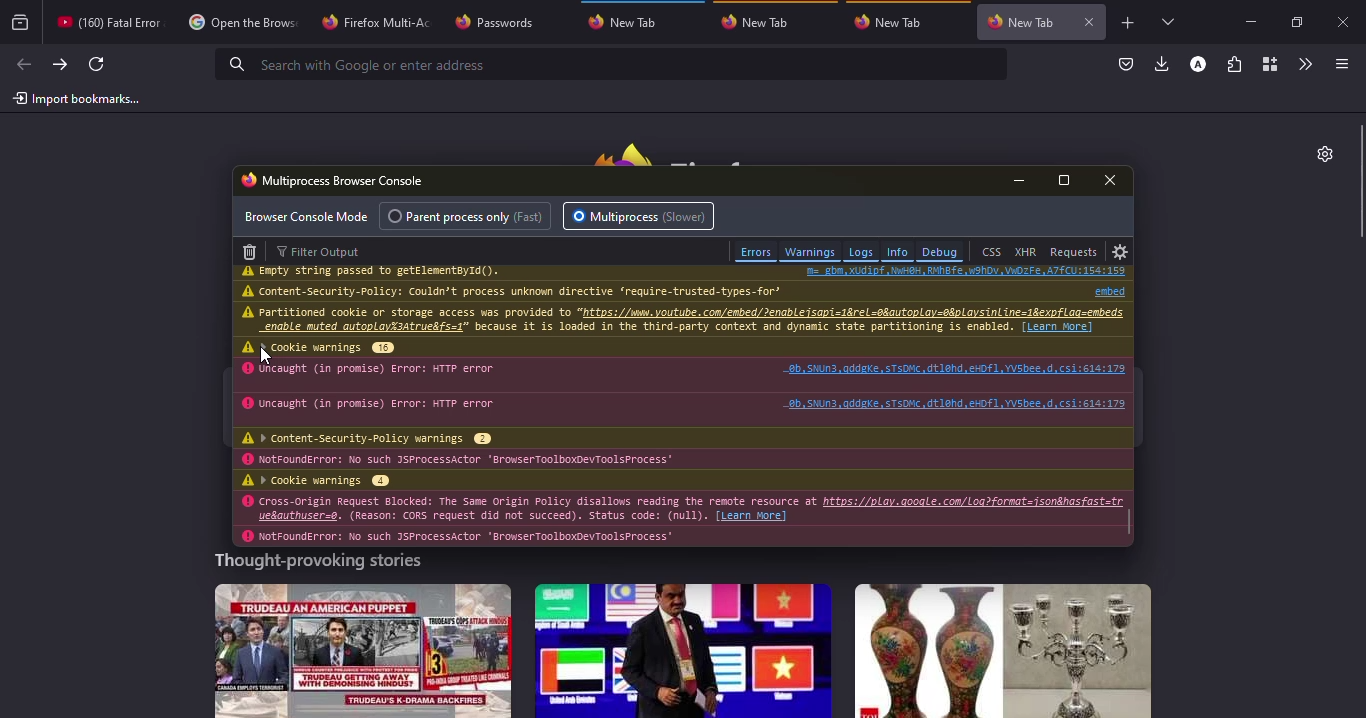 This screenshot has width=1366, height=718. I want to click on close, so click(1347, 24).